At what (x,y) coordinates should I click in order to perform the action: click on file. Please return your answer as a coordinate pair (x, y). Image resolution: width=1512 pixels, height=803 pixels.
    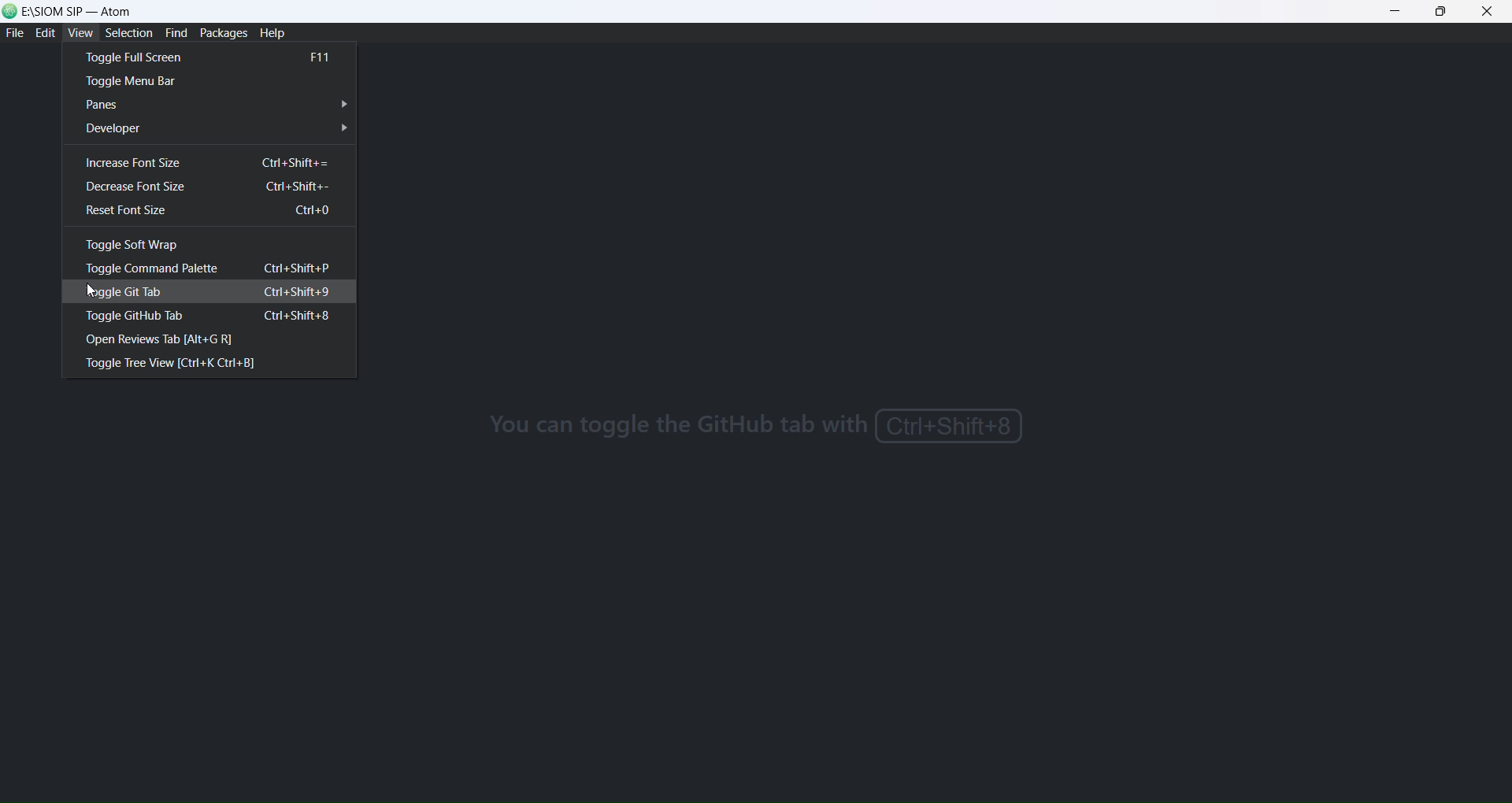
    Looking at the image, I should click on (14, 34).